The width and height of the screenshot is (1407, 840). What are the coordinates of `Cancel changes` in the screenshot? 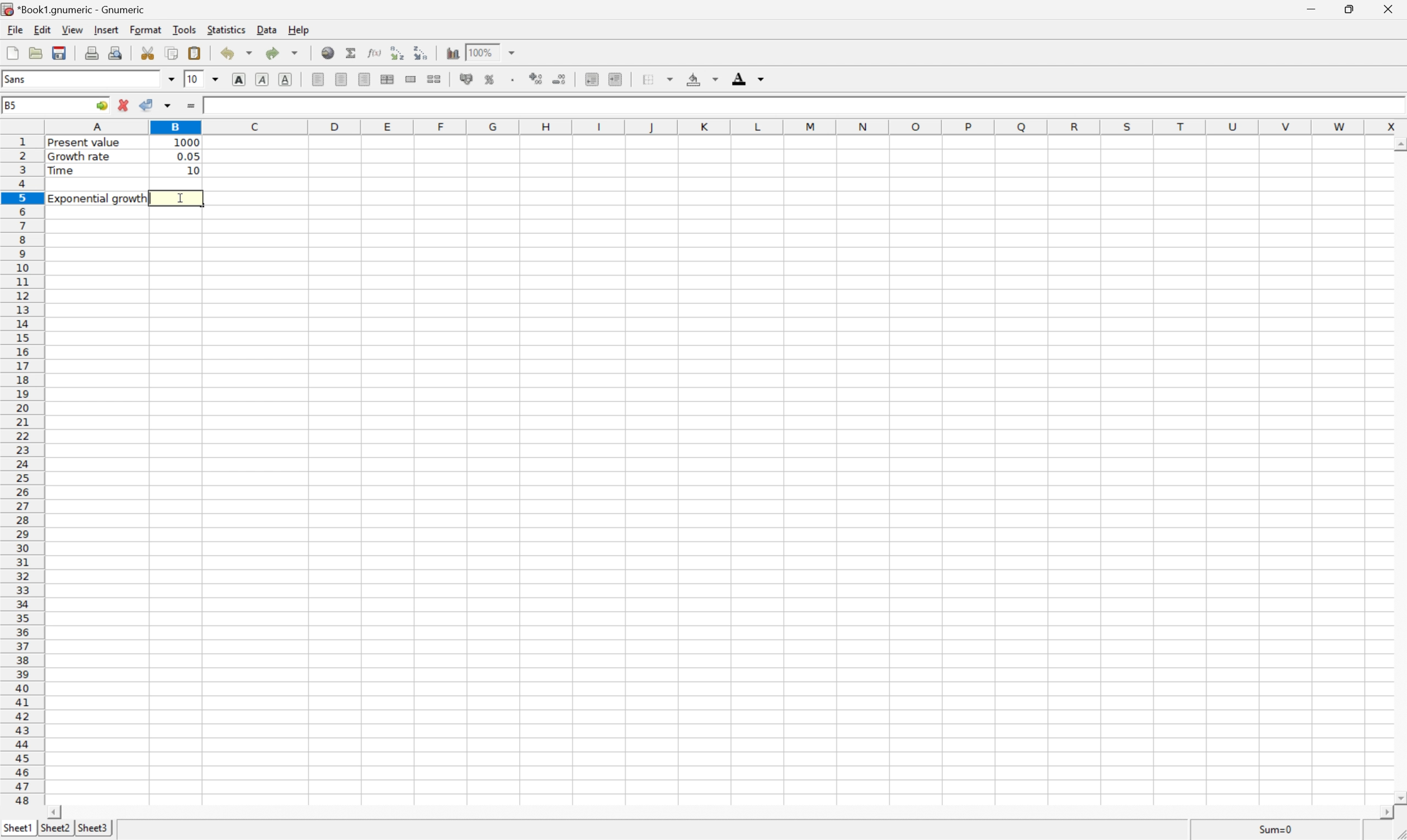 It's located at (124, 104).